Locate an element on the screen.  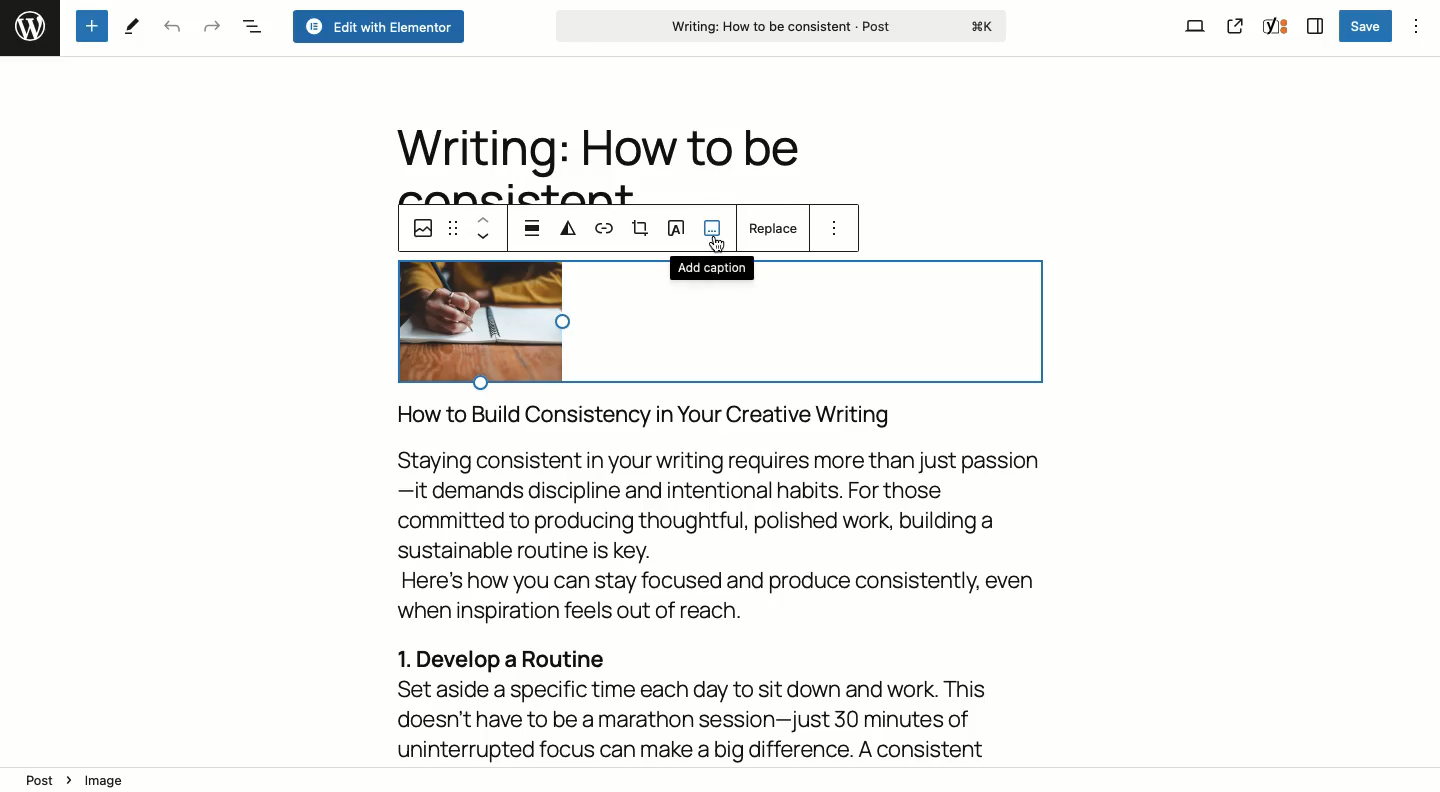
Undo is located at coordinates (171, 28).